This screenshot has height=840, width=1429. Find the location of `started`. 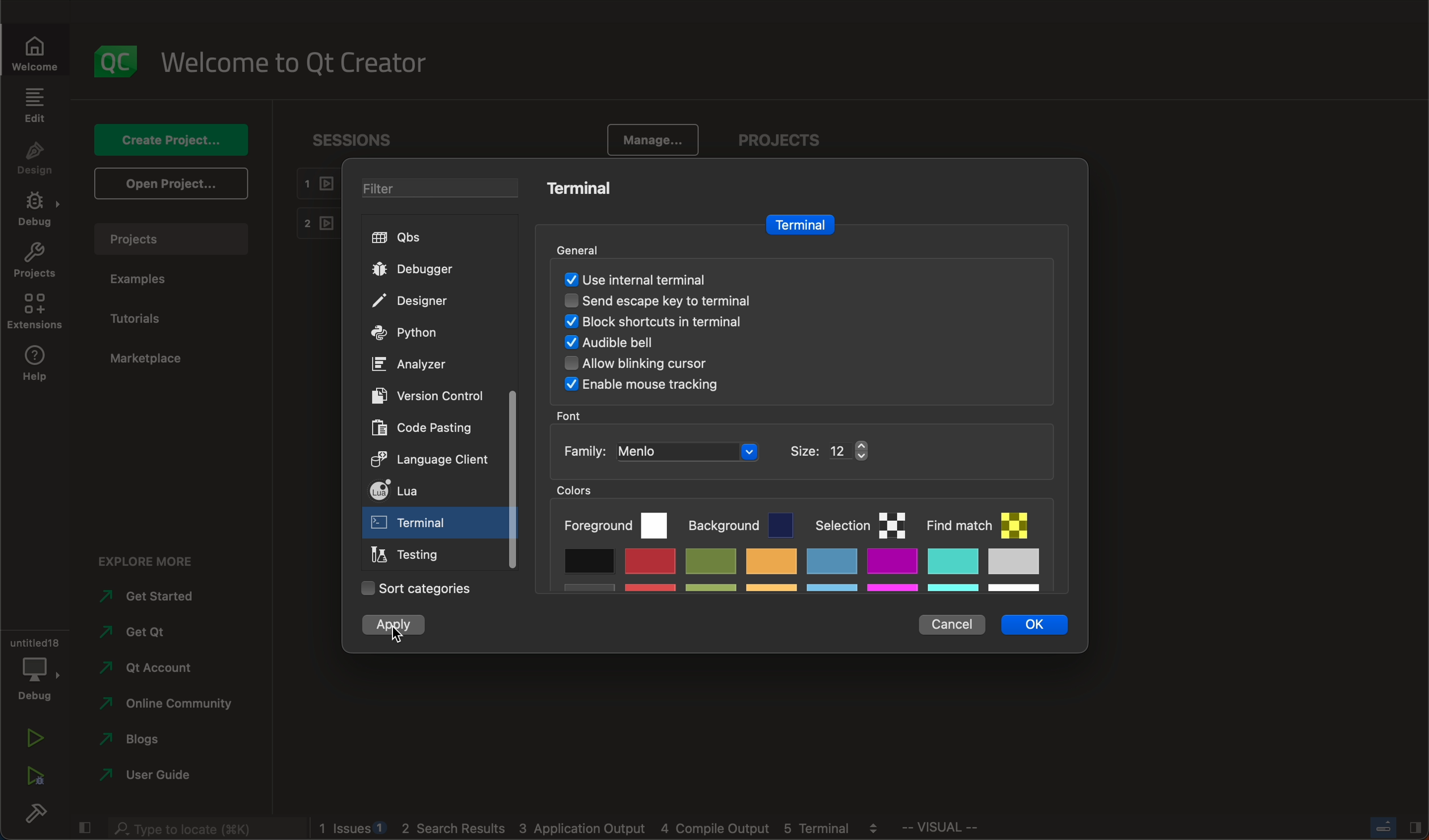

started is located at coordinates (156, 597).